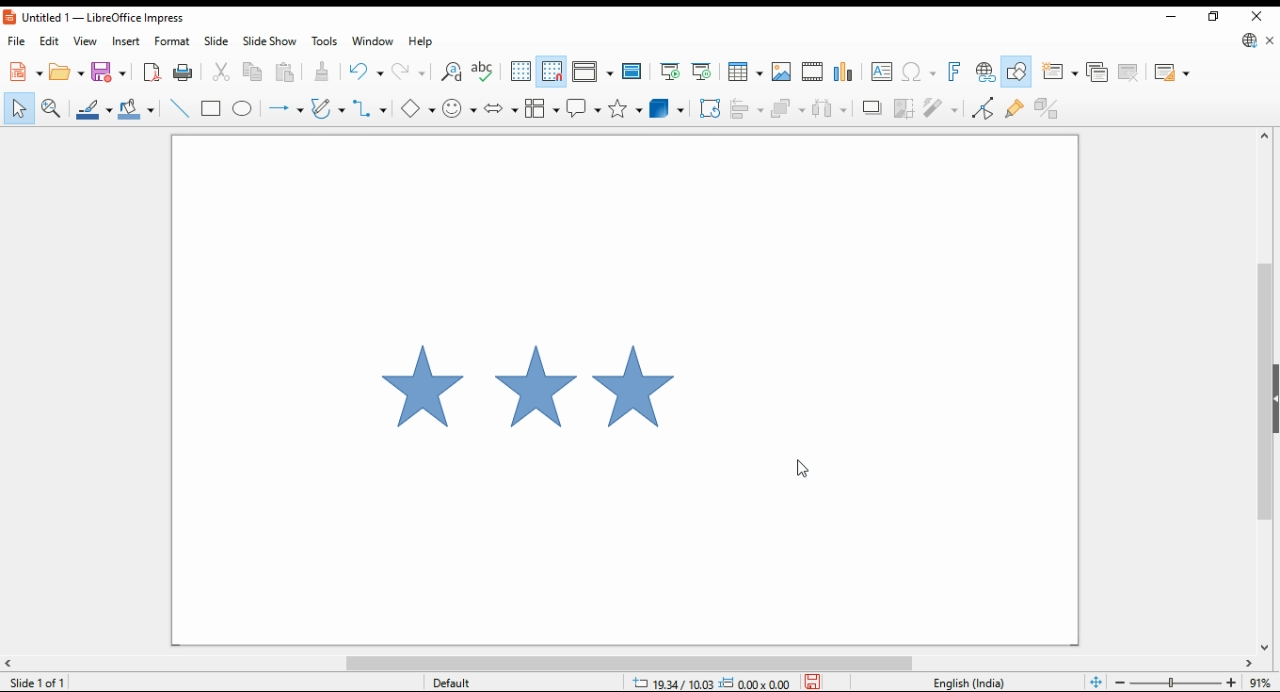 The image size is (1280, 692). I want to click on toggle point edit mode, so click(982, 107).